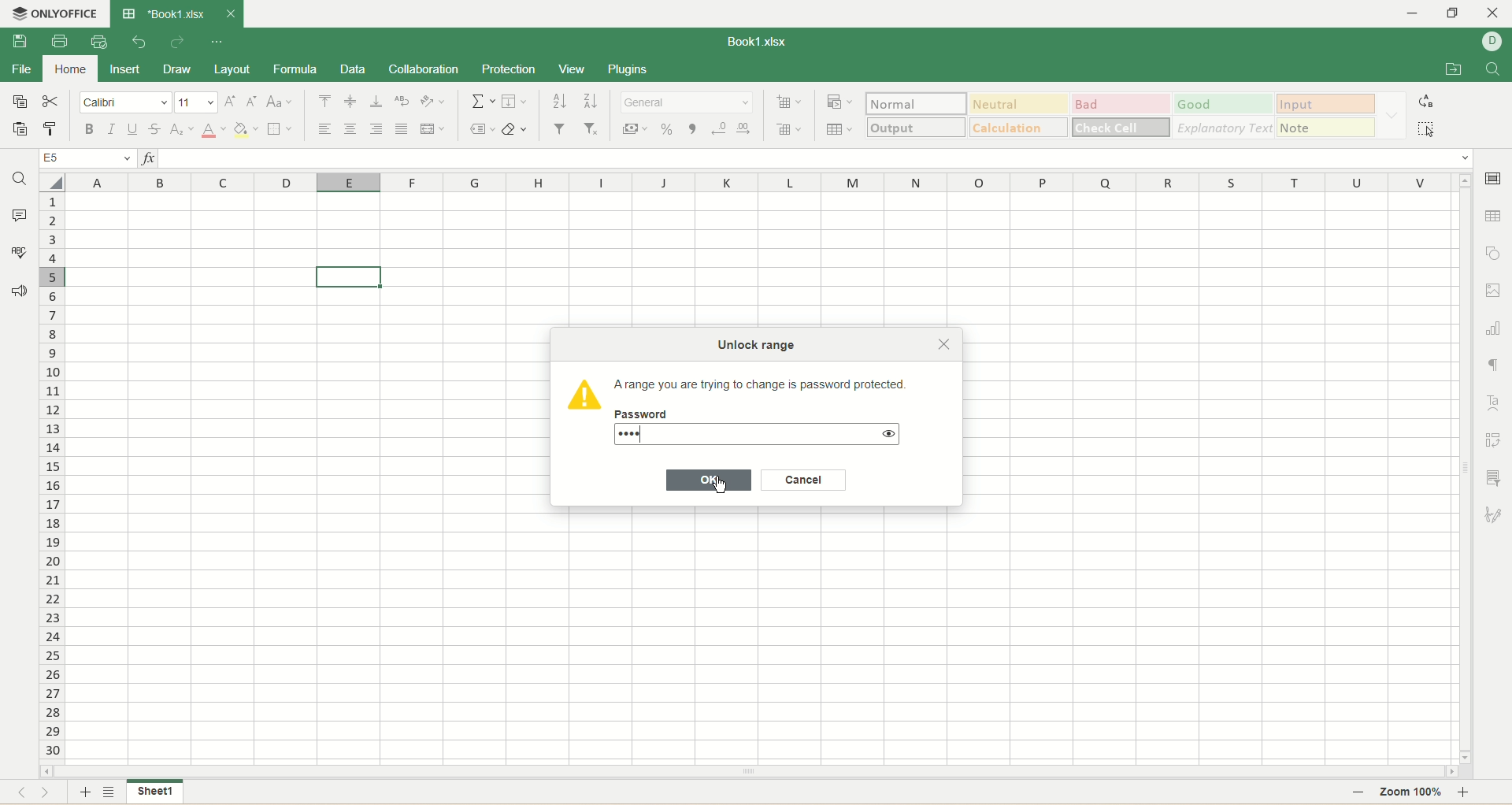  I want to click on home, so click(68, 69).